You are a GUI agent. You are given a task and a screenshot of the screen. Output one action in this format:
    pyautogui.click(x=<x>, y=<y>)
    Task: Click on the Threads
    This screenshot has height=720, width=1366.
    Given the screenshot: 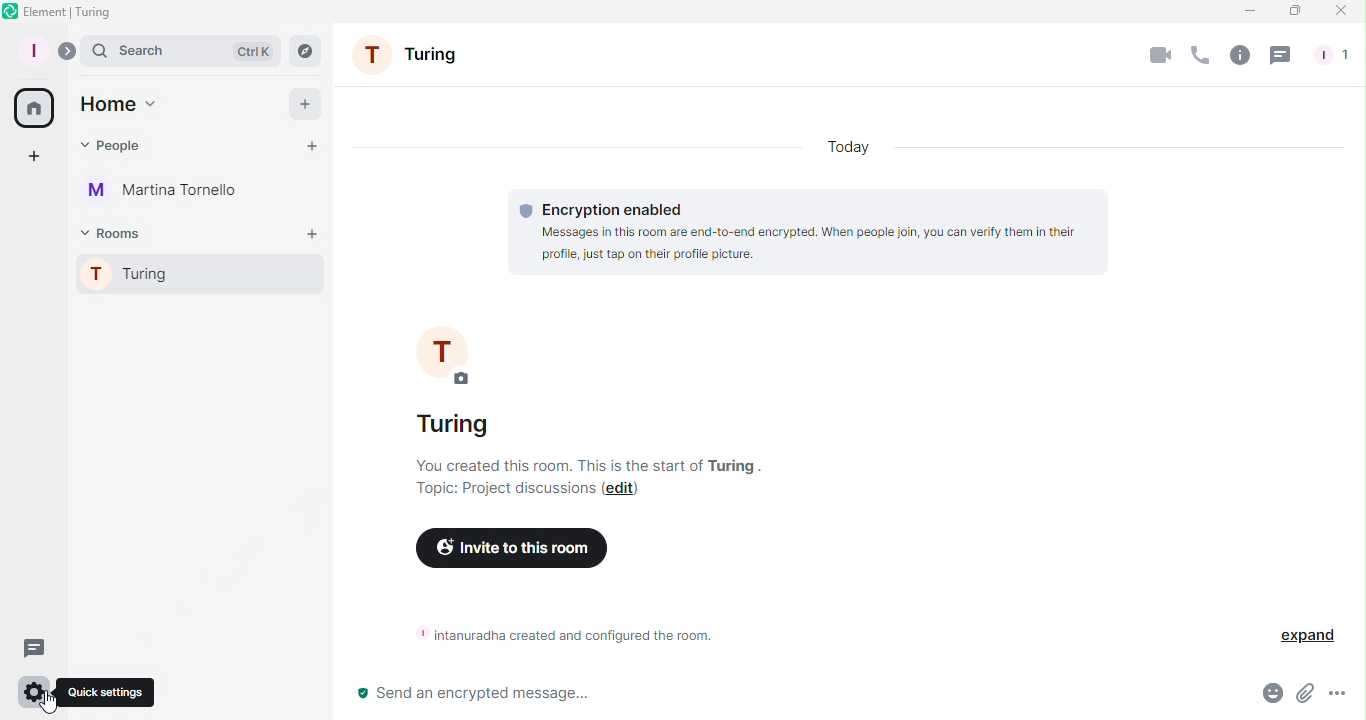 What is the action you would take?
    pyautogui.click(x=35, y=646)
    